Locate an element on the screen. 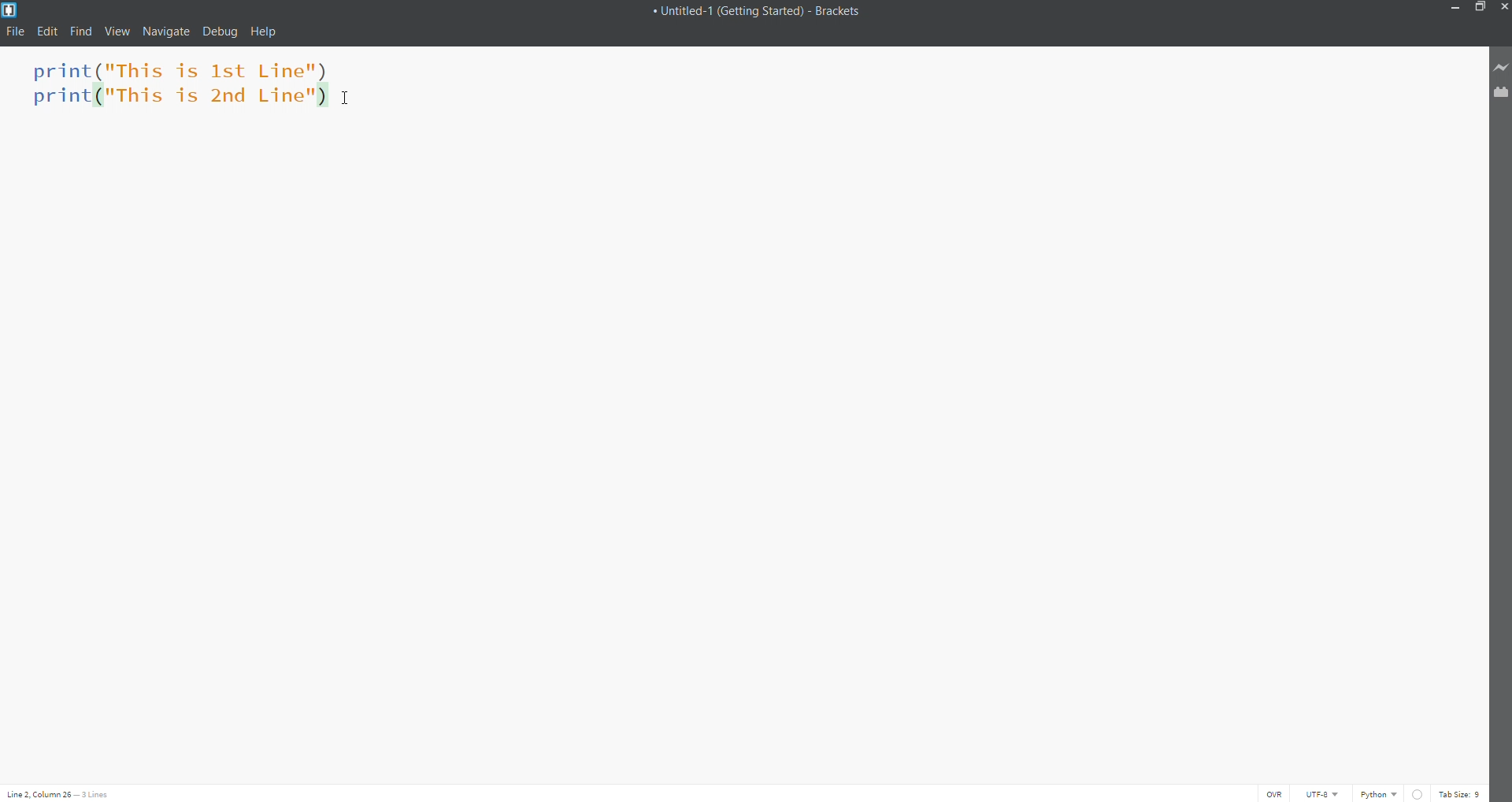 This screenshot has width=1512, height=802. Linting is disabled is located at coordinates (1416, 793).